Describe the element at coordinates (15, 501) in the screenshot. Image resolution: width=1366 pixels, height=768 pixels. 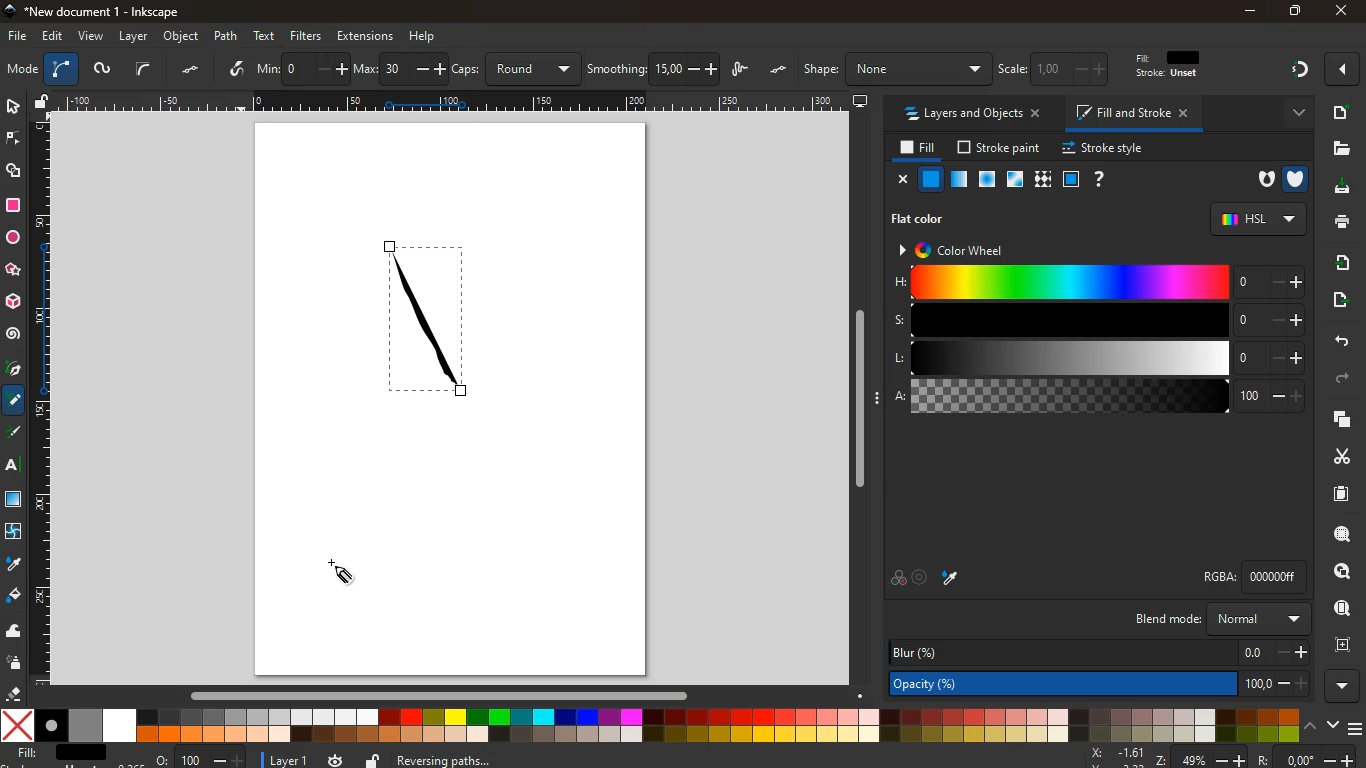
I see `imaage` at that location.